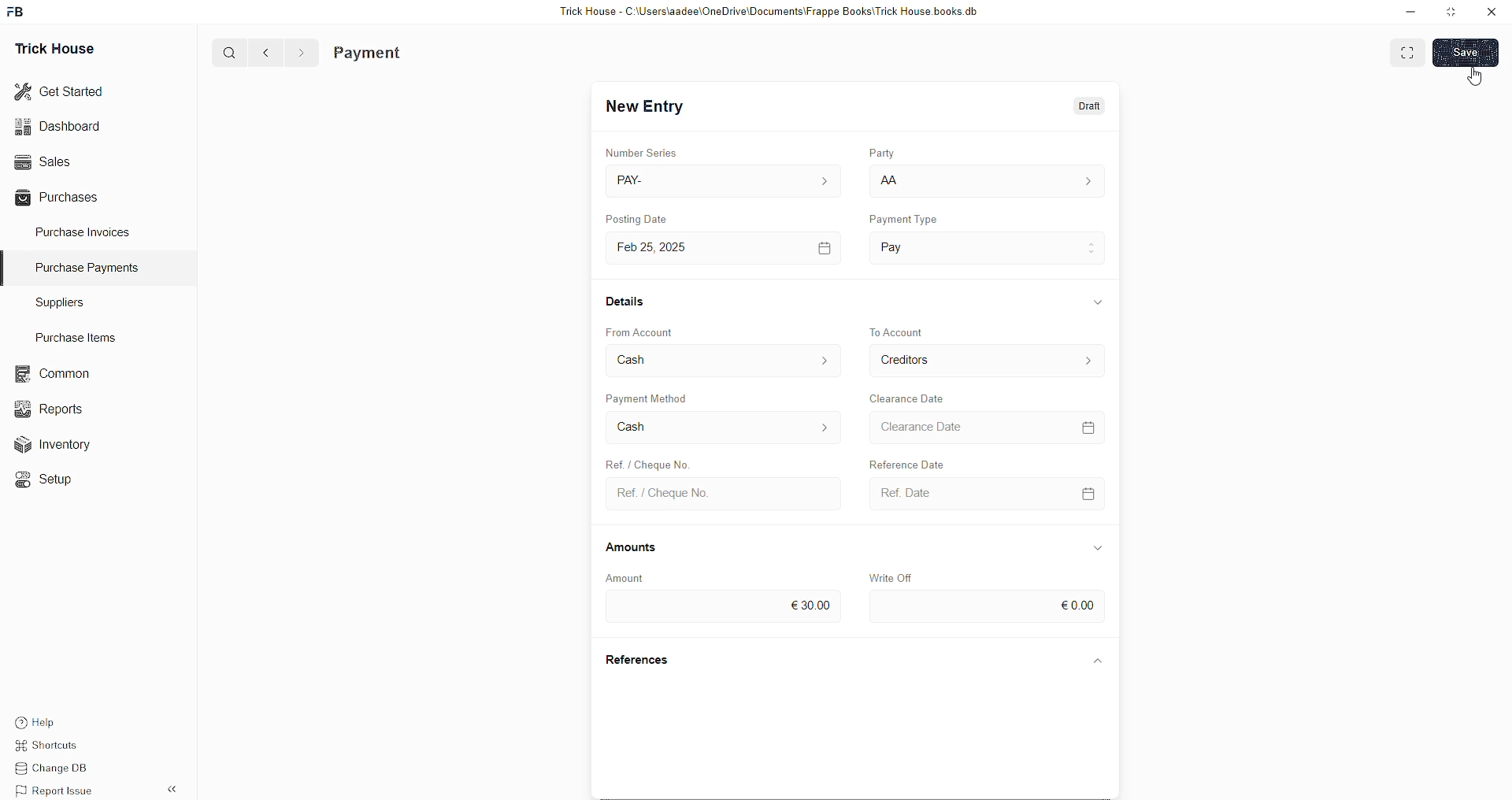  I want to click on minimise window, so click(1450, 13).